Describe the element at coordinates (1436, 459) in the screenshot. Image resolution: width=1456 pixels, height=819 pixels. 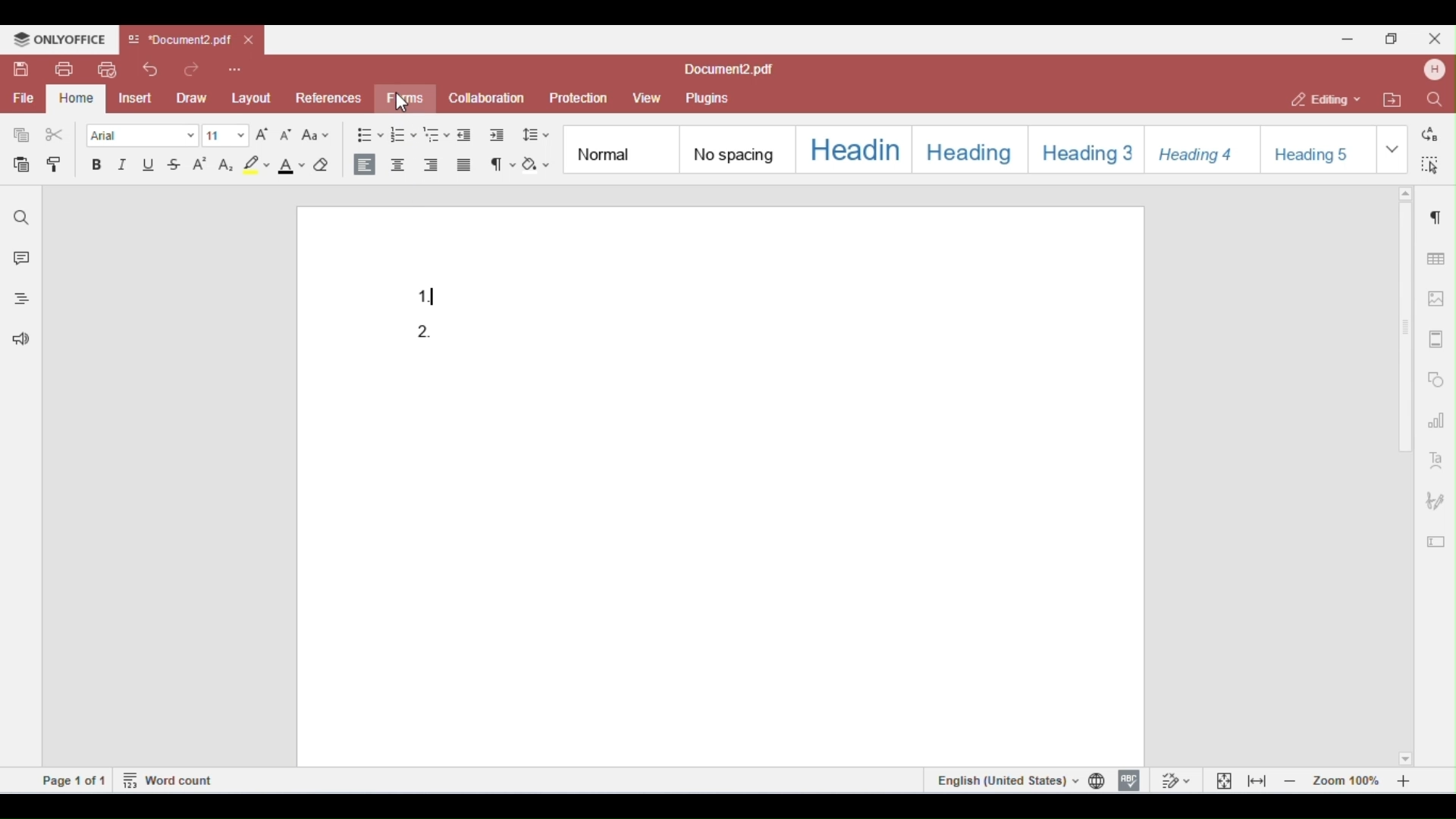
I see `text settings` at that location.